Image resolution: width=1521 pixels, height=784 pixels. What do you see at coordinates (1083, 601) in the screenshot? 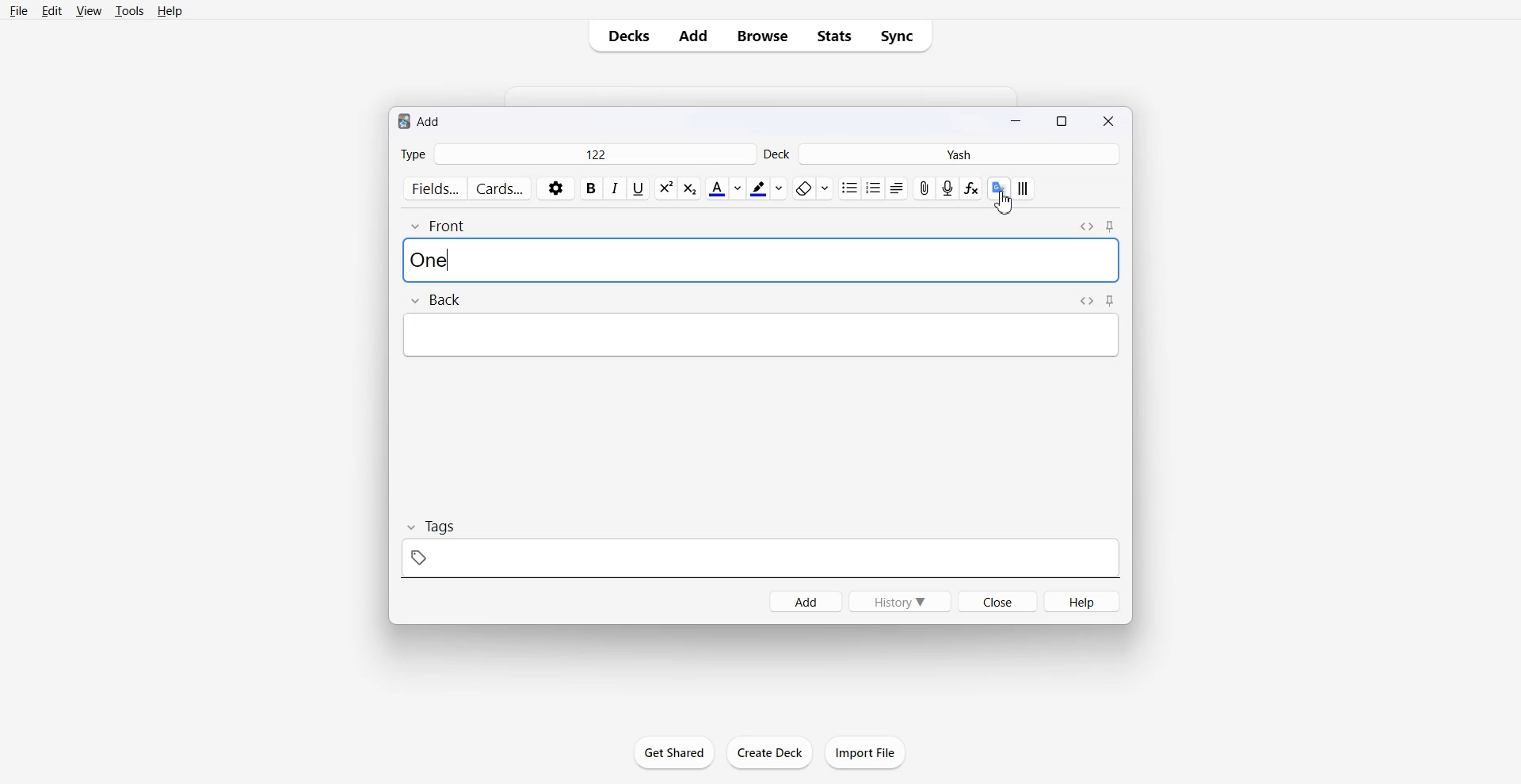
I see `Help` at bounding box center [1083, 601].